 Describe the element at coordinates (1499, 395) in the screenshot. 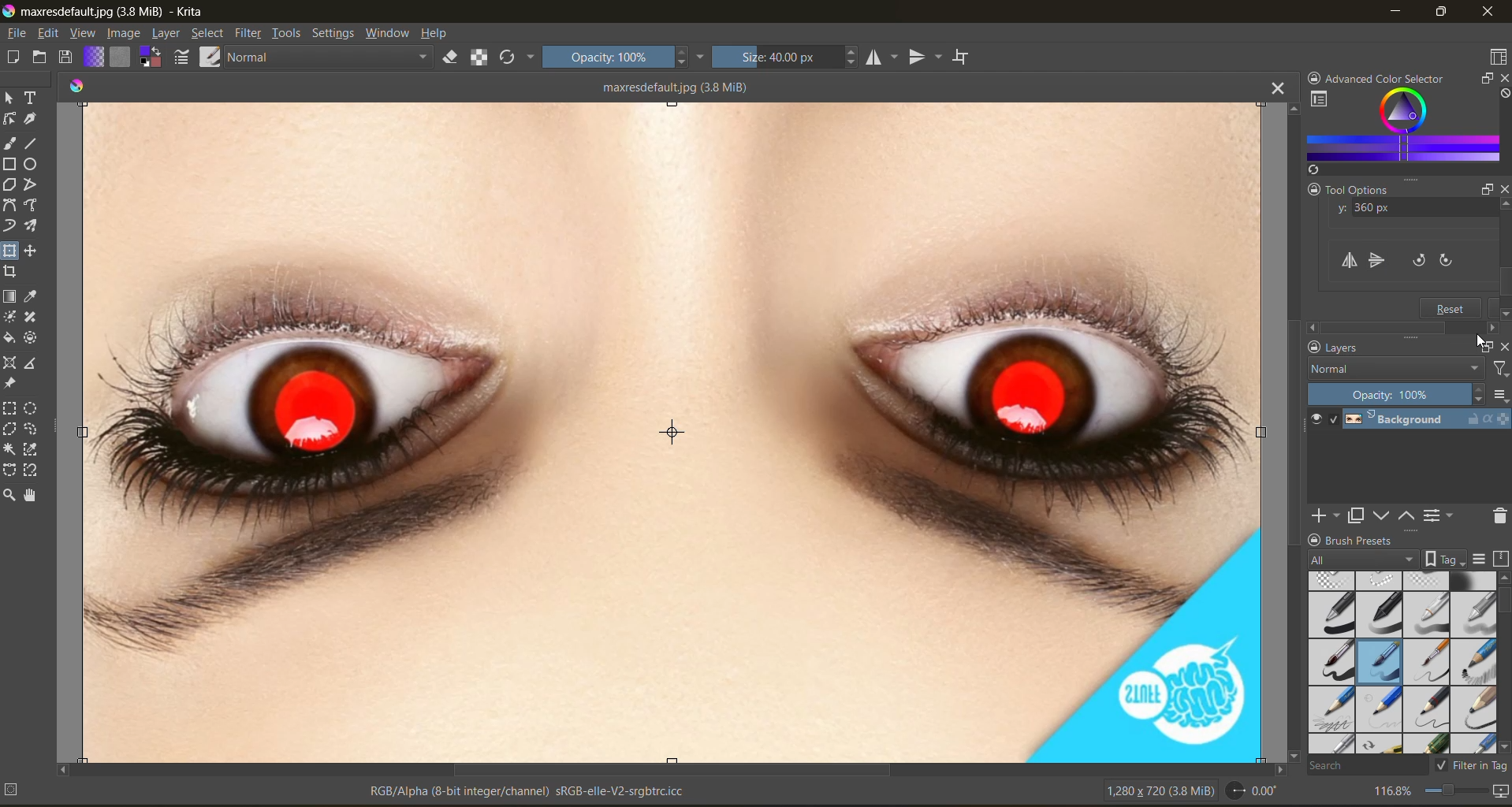

I see `options` at that location.